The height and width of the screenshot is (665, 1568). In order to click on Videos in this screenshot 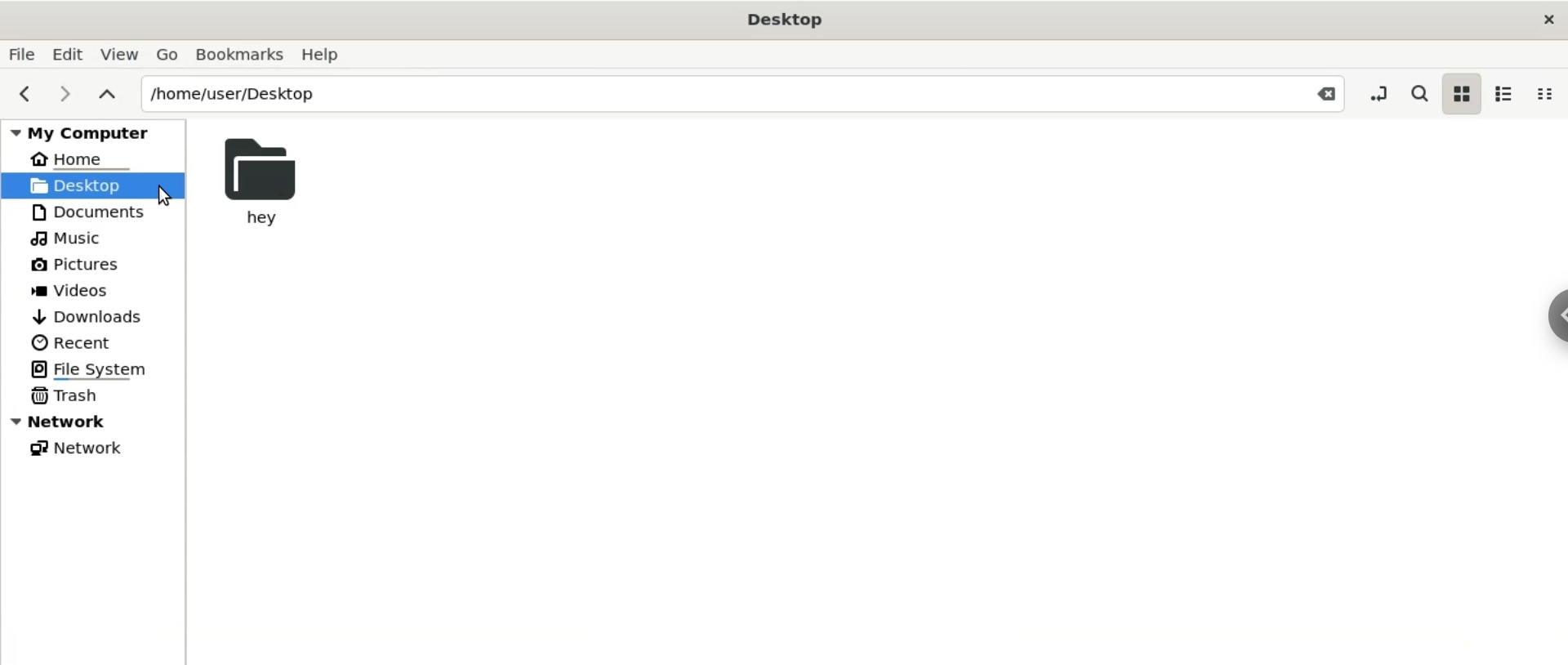, I will do `click(76, 290)`.